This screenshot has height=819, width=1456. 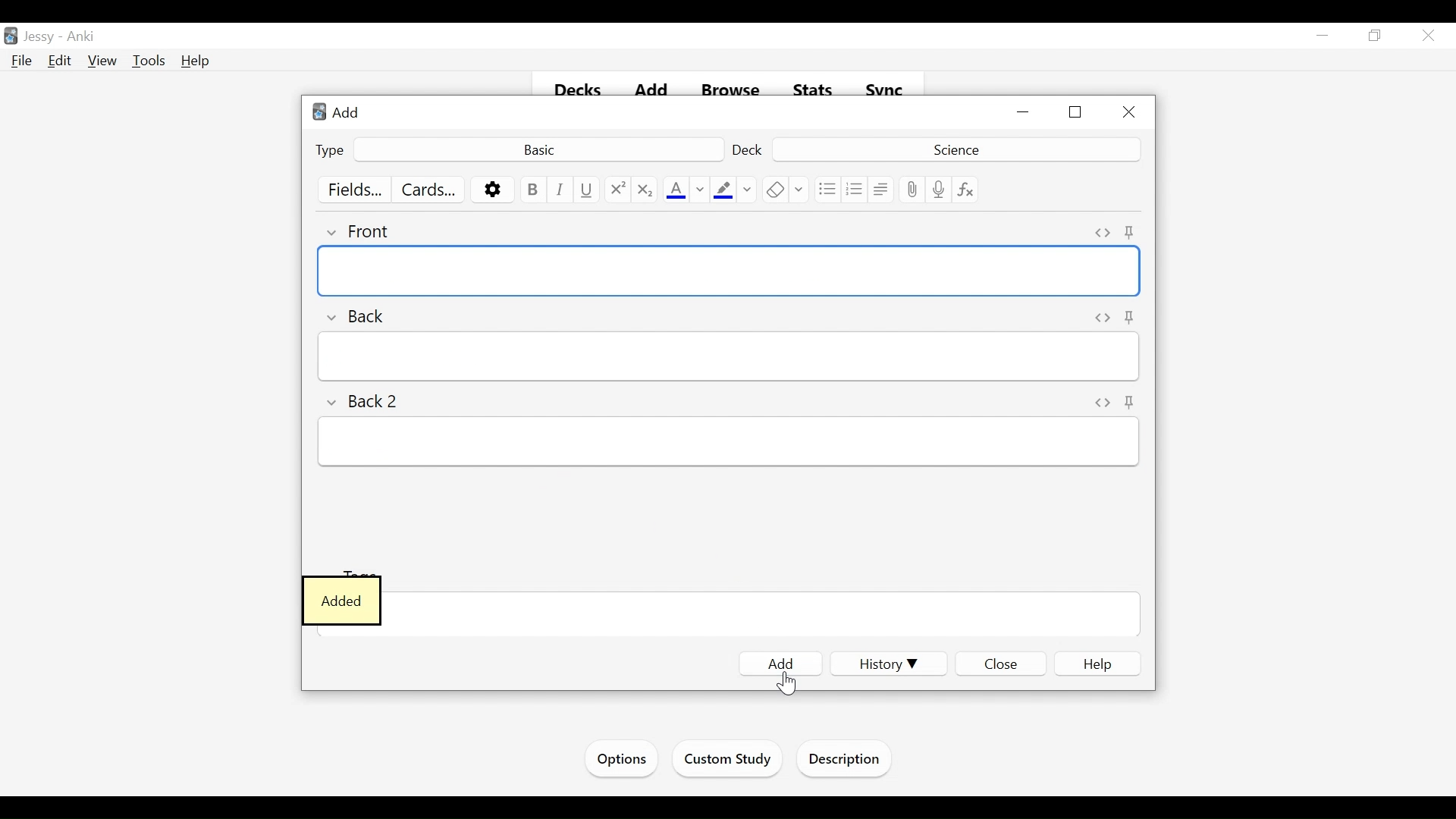 I want to click on Change color, so click(x=700, y=190).